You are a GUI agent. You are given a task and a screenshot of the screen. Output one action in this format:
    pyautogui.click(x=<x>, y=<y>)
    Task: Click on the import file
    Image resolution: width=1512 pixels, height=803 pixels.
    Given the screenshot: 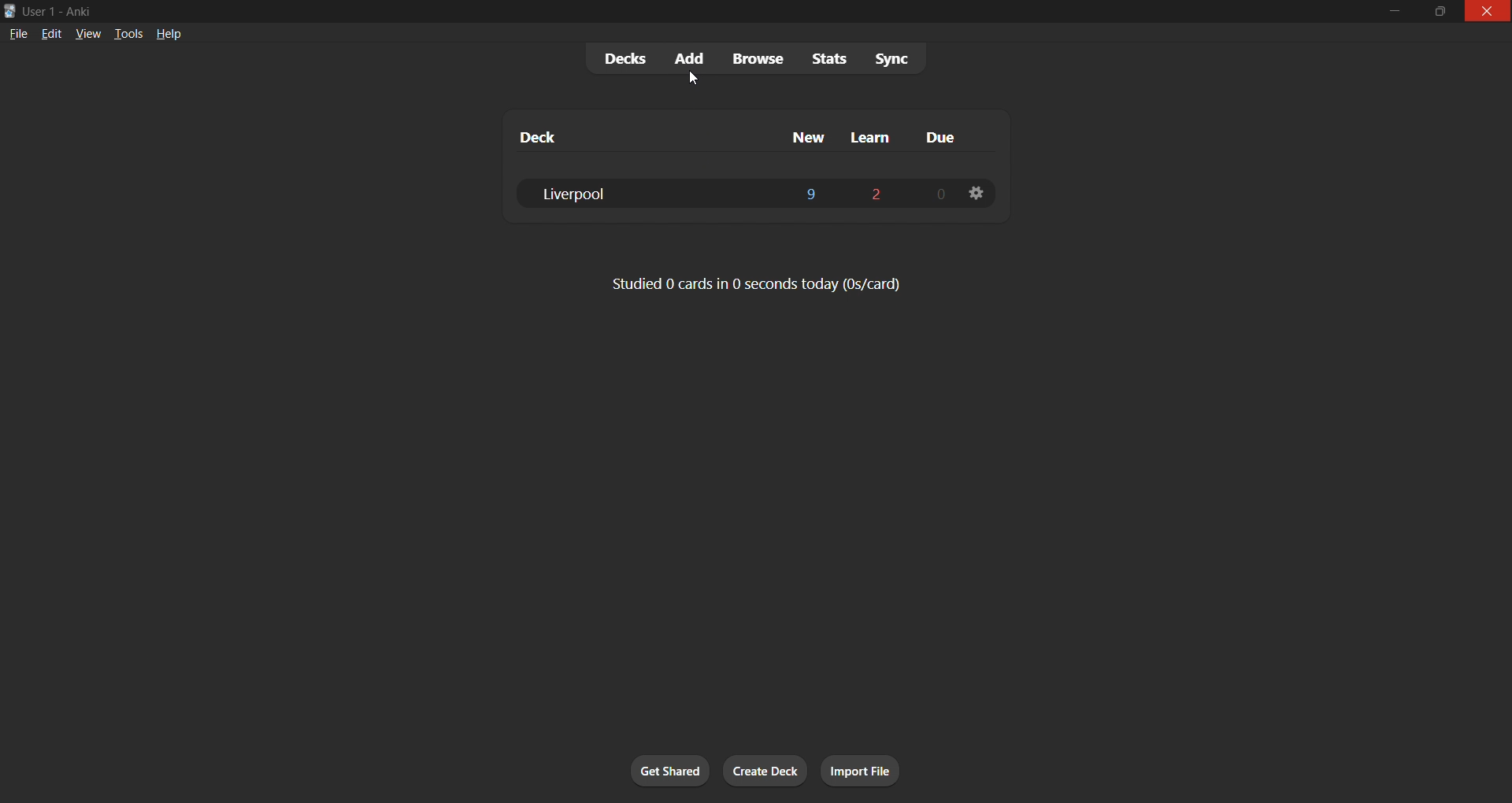 What is the action you would take?
    pyautogui.click(x=865, y=769)
    